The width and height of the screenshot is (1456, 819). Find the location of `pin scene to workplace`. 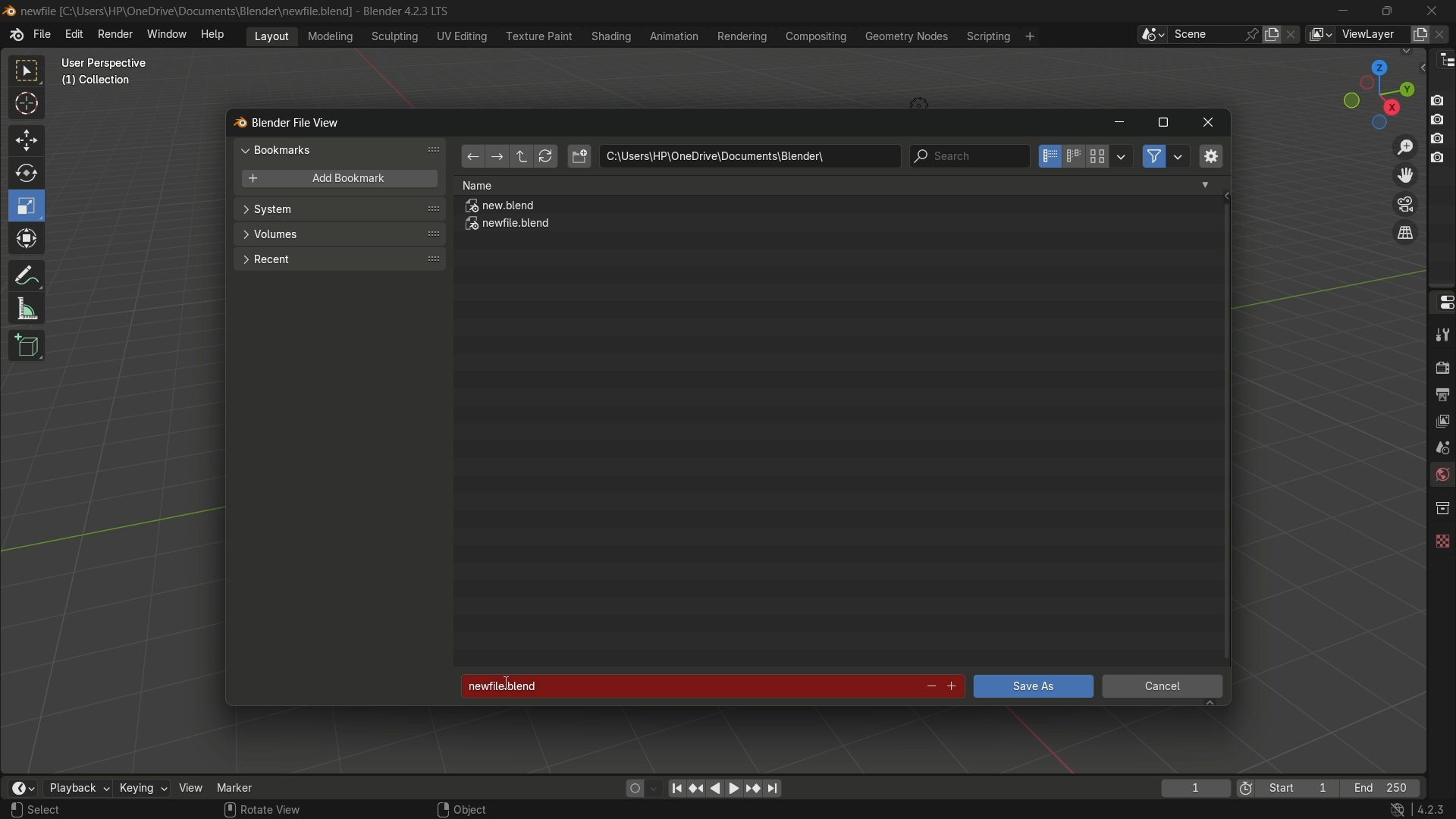

pin scene to workplace is located at coordinates (1254, 34).